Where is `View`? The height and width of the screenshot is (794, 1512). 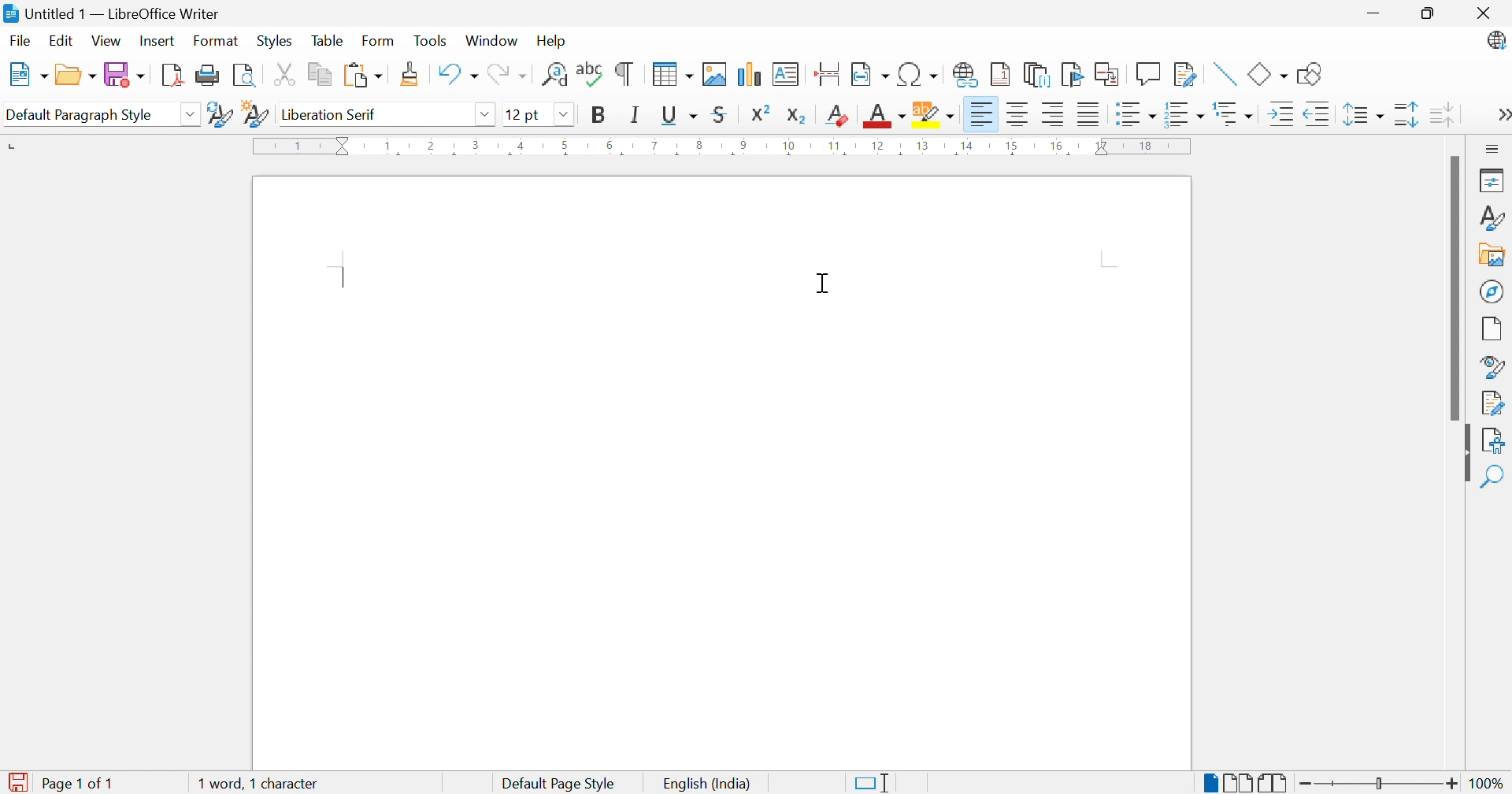
View is located at coordinates (107, 39).